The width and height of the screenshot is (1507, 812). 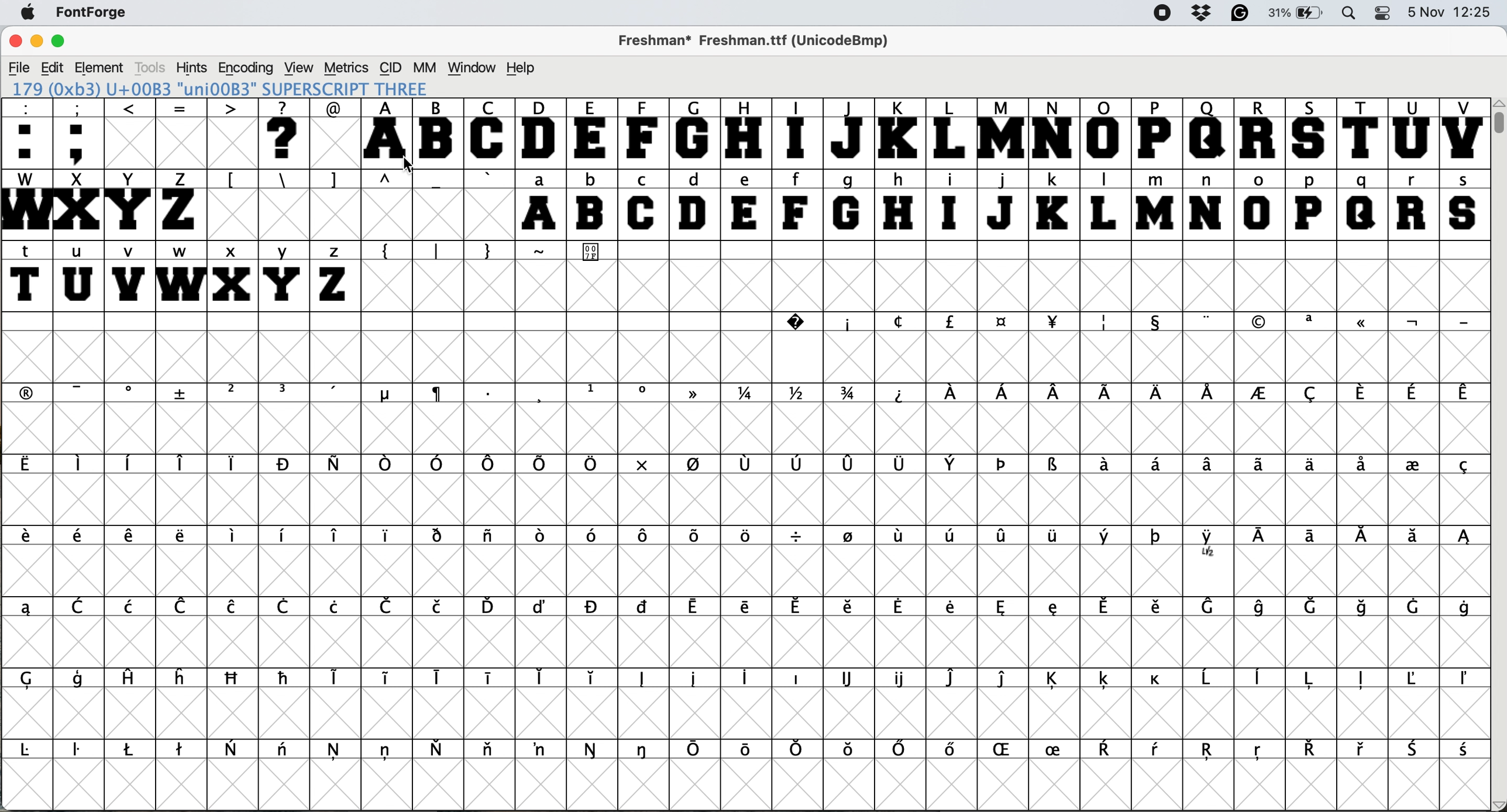 What do you see at coordinates (129, 679) in the screenshot?
I see `symbol` at bounding box center [129, 679].